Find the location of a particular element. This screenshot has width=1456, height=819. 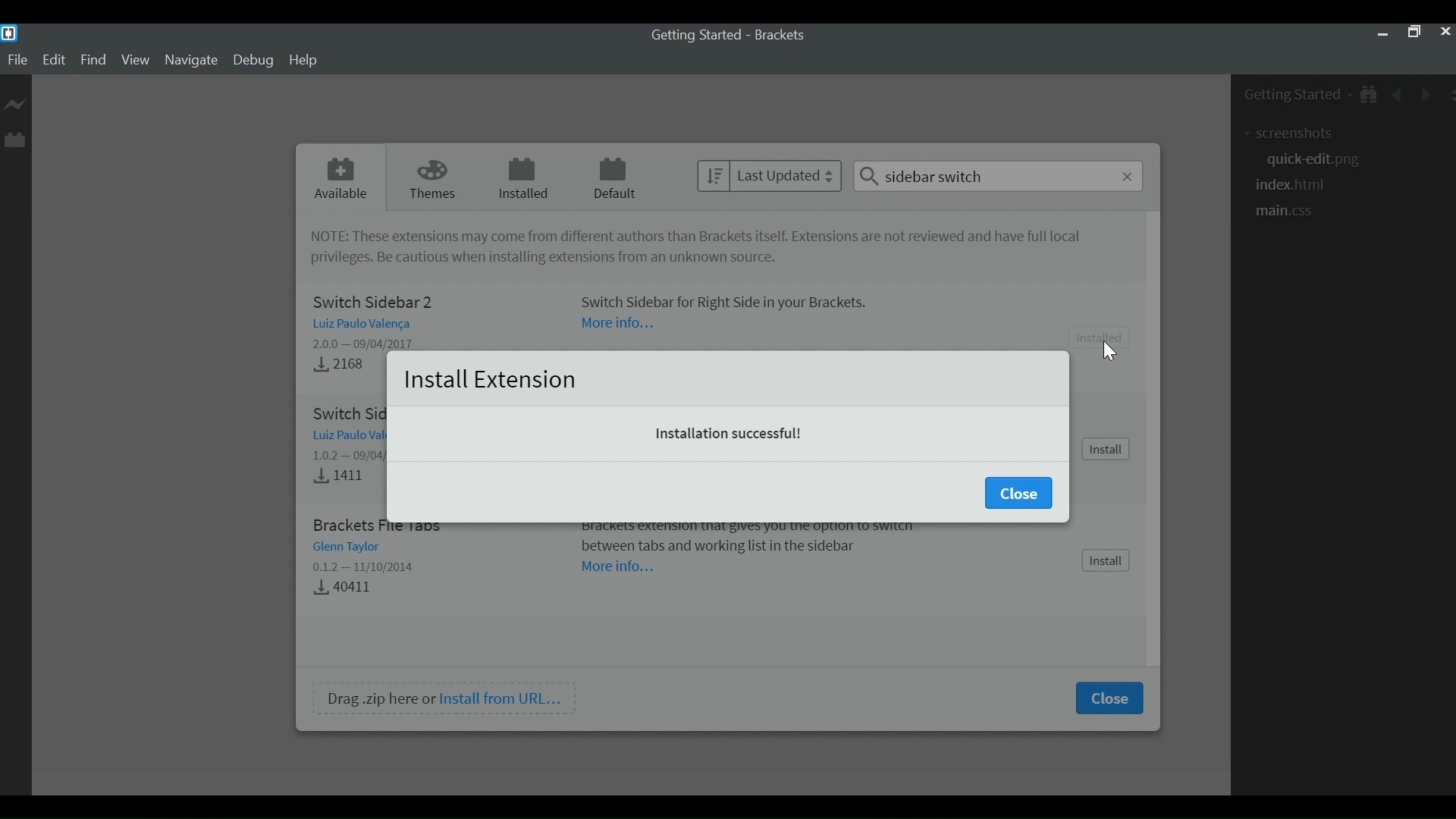

Find is located at coordinates (93, 61).